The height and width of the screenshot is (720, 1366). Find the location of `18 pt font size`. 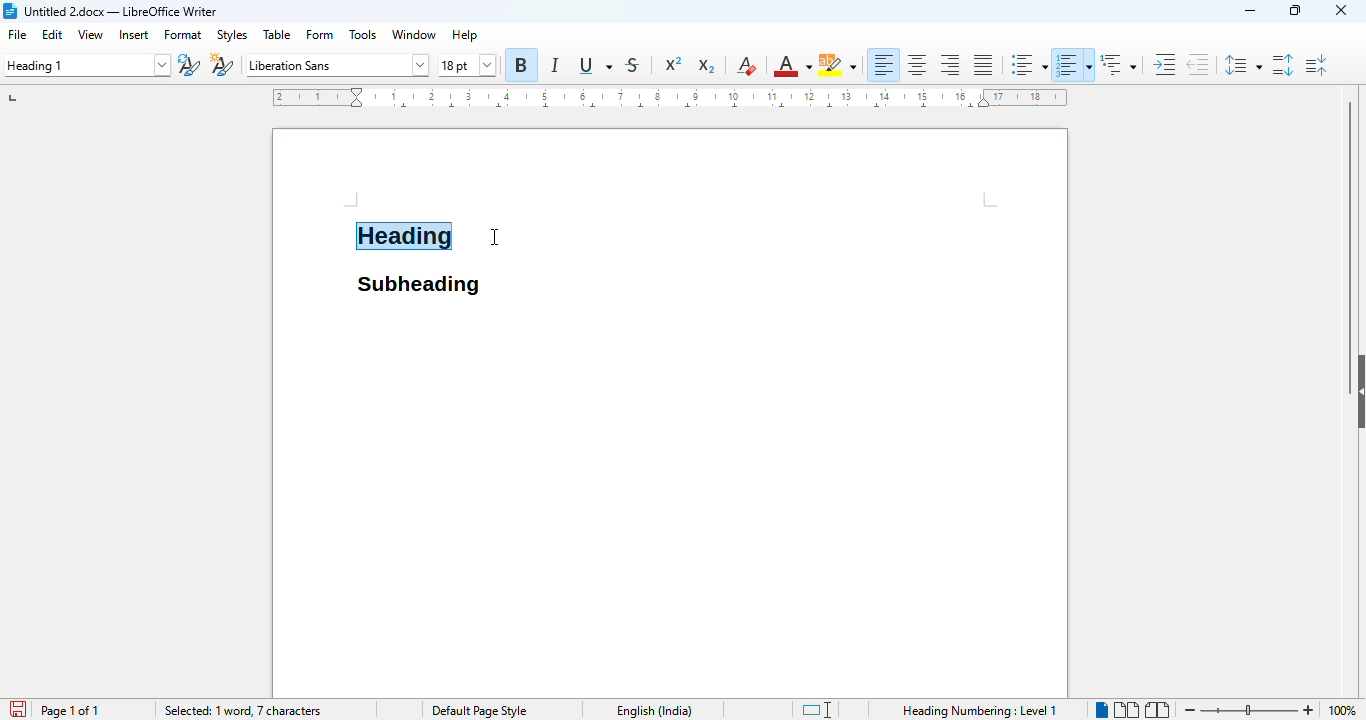

18 pt font size is located at coordinates (468, 66).